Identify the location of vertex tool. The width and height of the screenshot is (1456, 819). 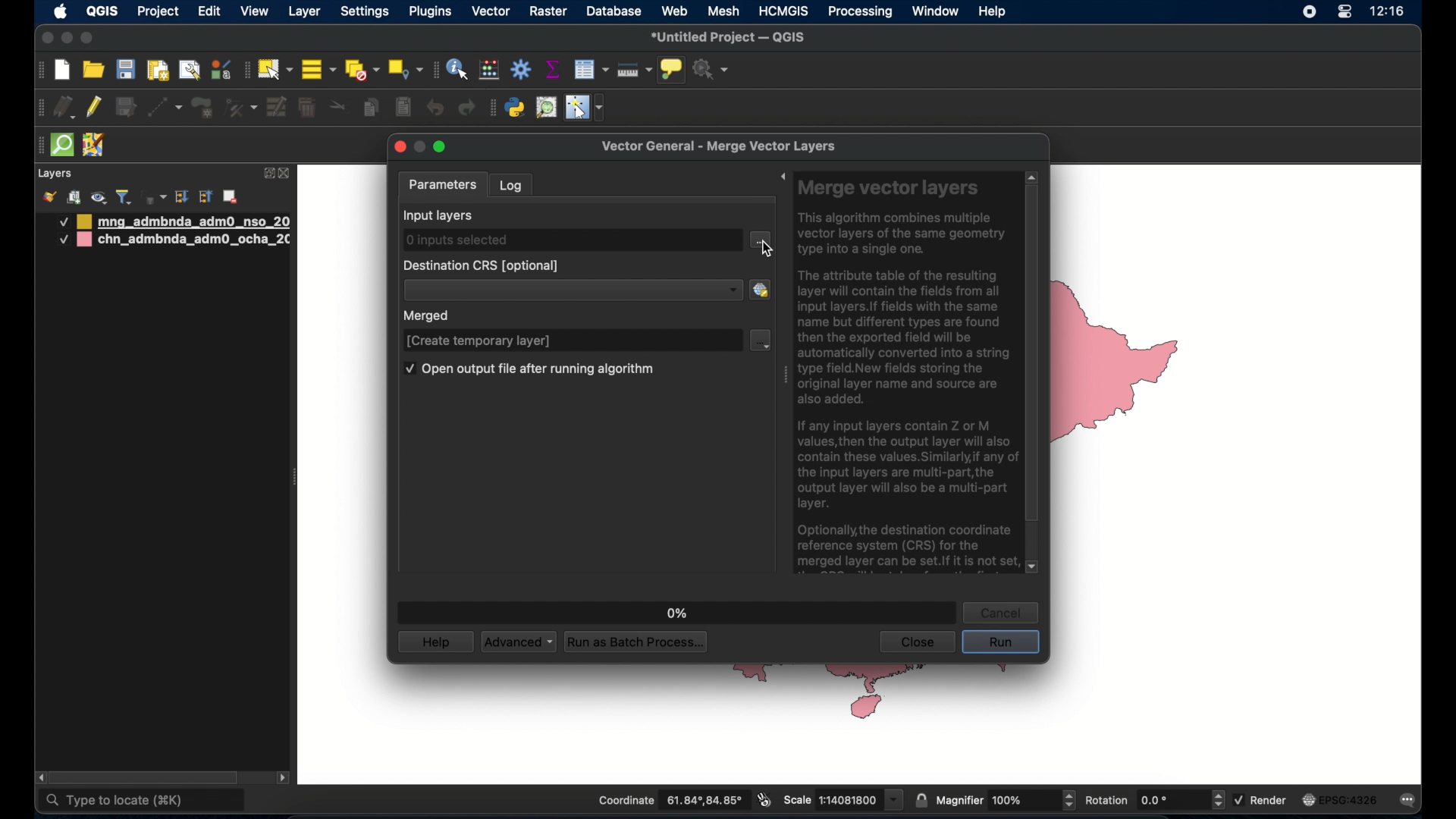
(240, 106).